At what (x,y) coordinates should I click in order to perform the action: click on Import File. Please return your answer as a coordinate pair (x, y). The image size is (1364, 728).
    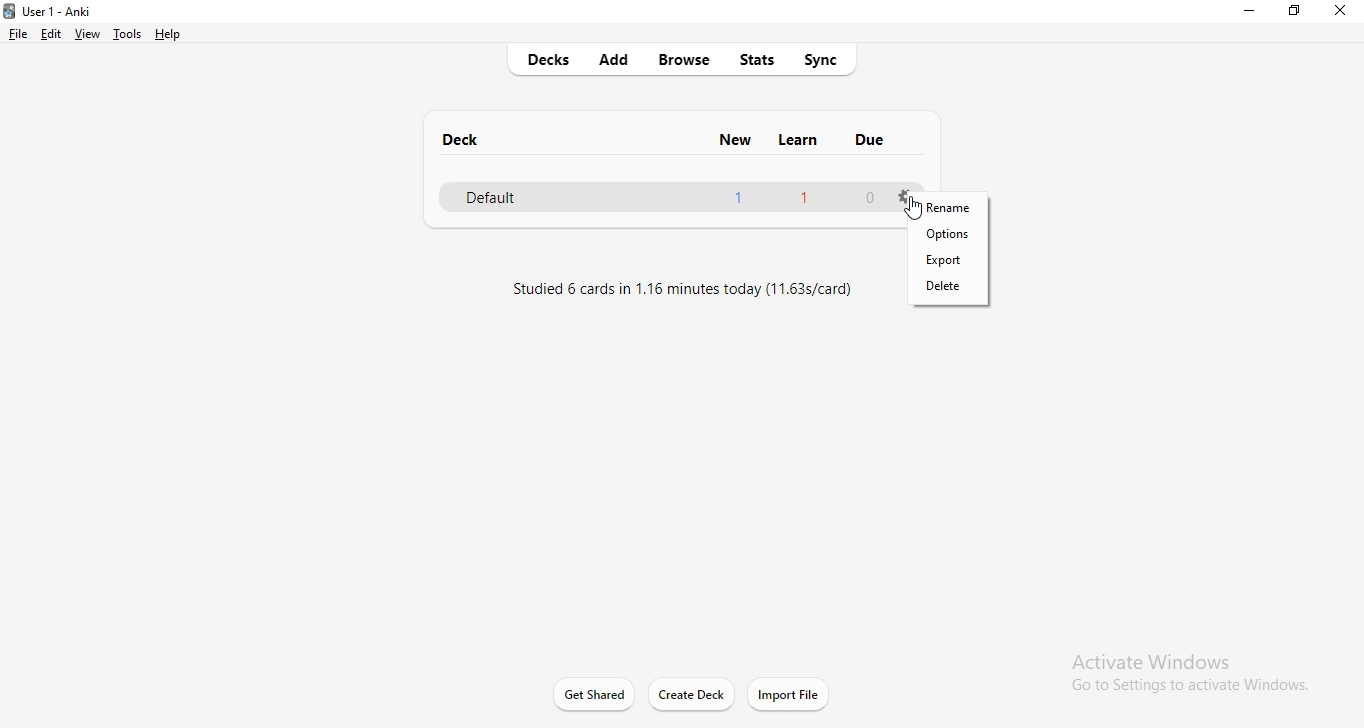
    Looking at the image, I should click on (793, 693).